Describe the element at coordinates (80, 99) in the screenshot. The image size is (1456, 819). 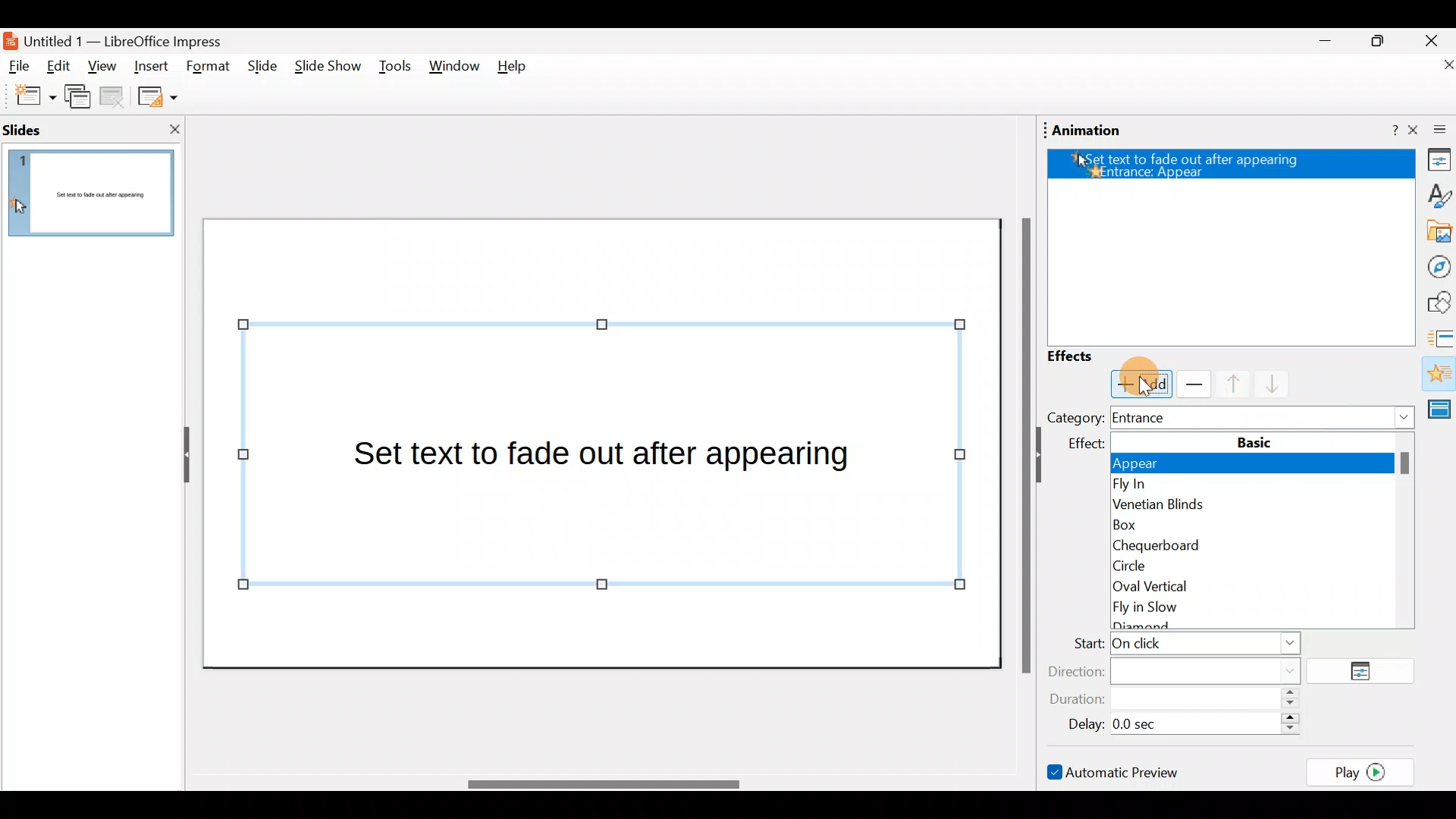
I see `Duplicate slide` at that location.